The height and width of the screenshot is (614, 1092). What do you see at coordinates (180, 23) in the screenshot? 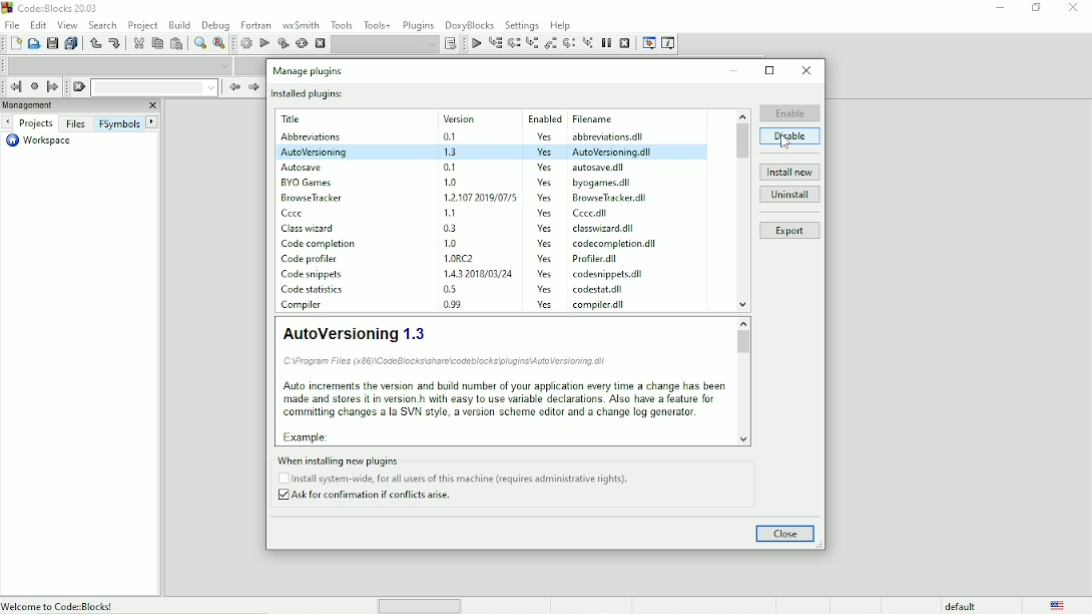
I see `Build` at bounding box center [180, 23].